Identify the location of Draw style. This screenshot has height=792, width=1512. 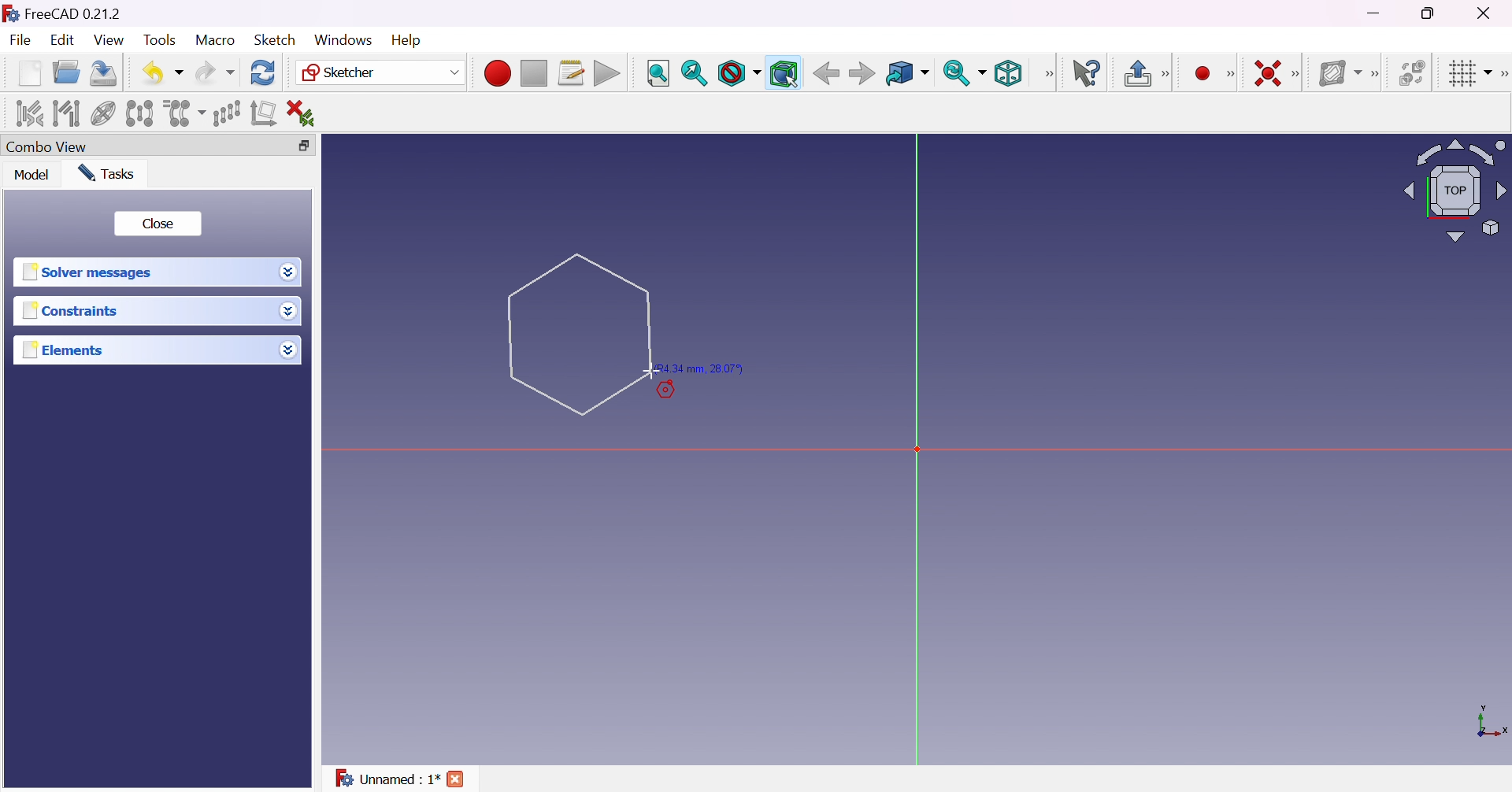
(738, 73).